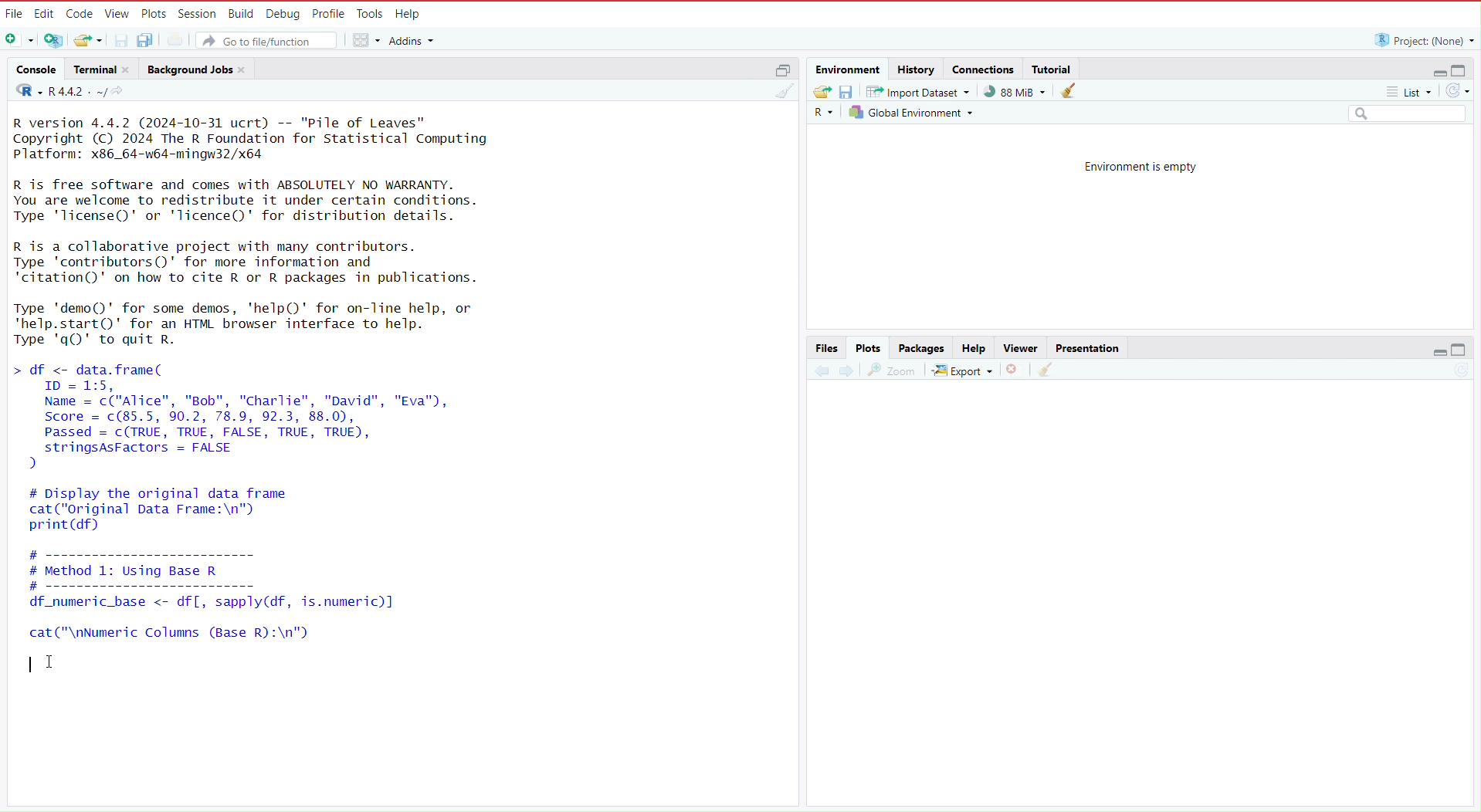 This screenshot has height=812, width=1481. What do you see at coordinates (917, 68) in the screenshot?
I see `history` at bounding box center [917, 68].